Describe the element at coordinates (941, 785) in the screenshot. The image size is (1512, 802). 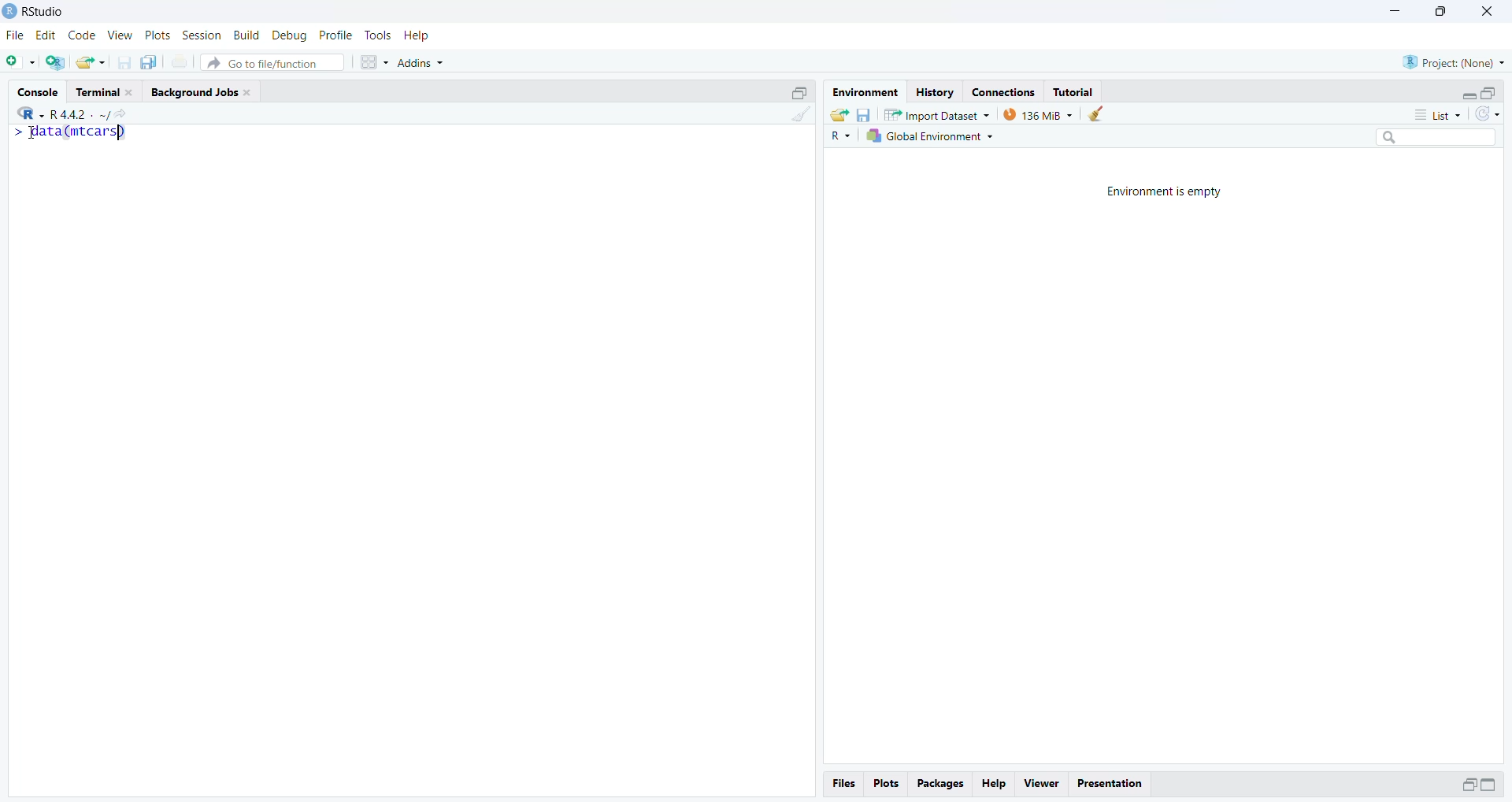
I see `Packages` at that location.